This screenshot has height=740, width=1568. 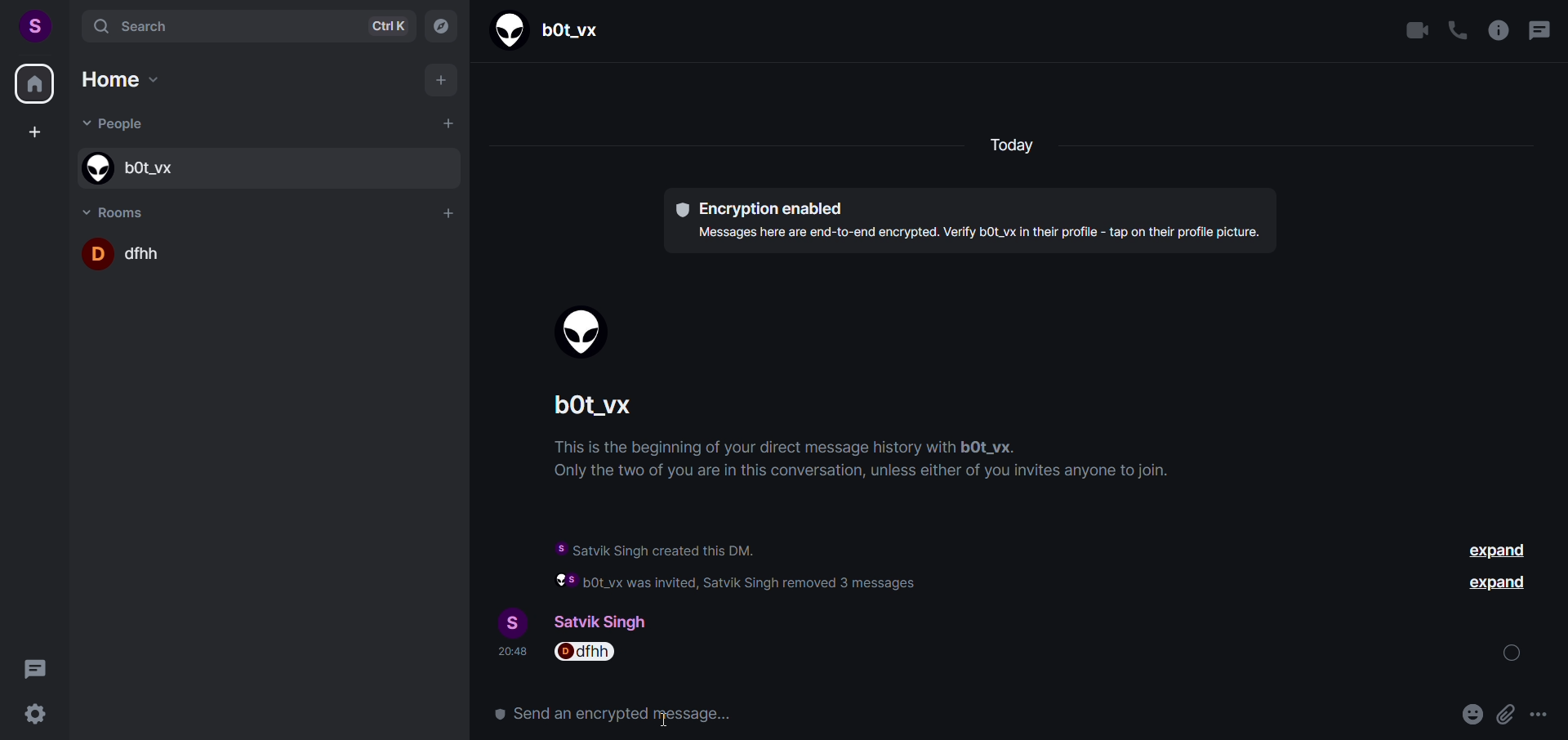 What do you see at coordinates (553, 29) in the screenshot?
I see `people name` at bounding box center [553, 29].